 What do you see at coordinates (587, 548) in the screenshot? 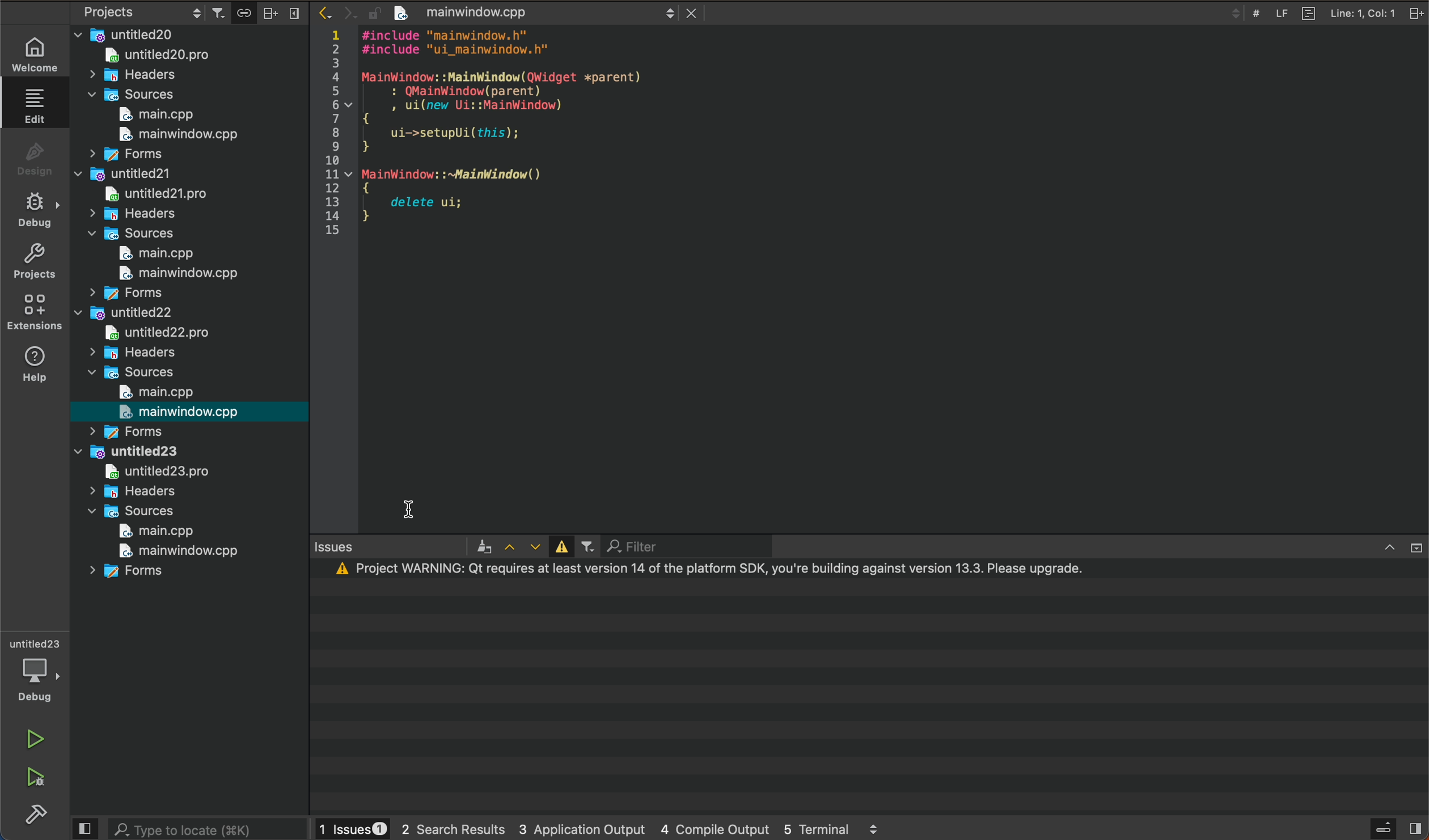
I see `filter` at bounding box center [587, 548].